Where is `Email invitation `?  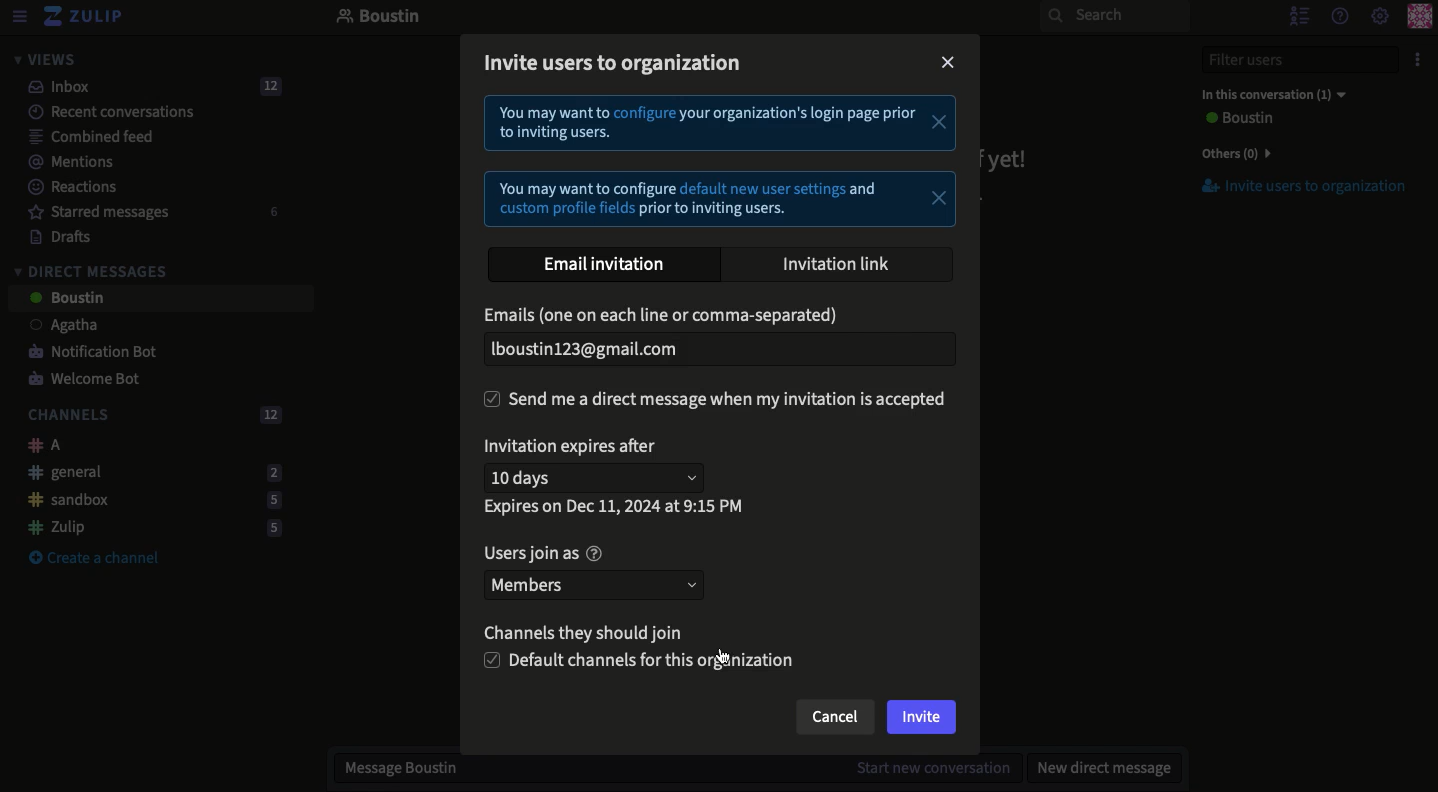
Email invitation  is located at coordinates (612, 262).